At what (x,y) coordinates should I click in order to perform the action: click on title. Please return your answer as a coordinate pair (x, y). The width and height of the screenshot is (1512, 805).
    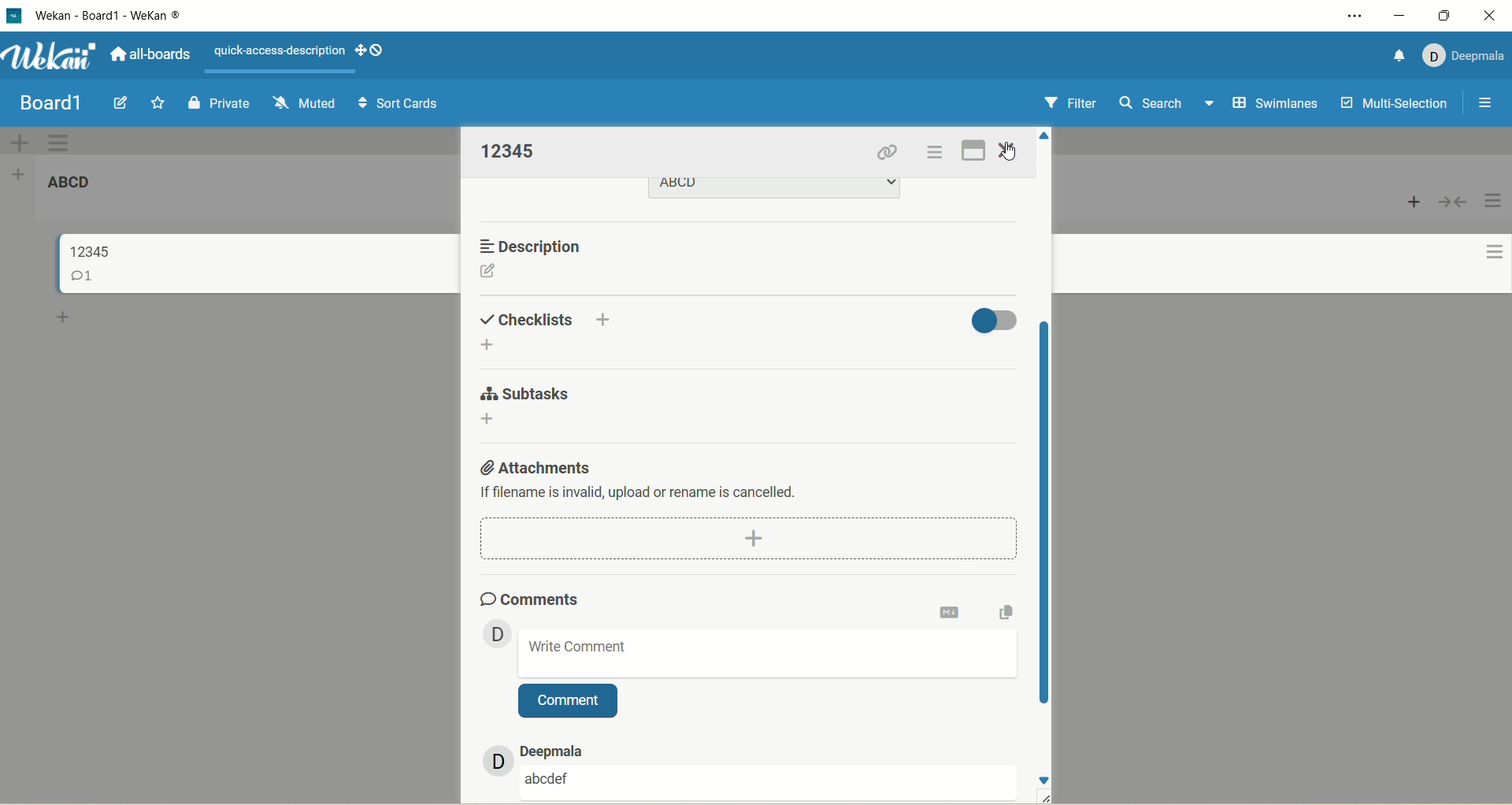
    Looking at the image, I should click on (92, 249).